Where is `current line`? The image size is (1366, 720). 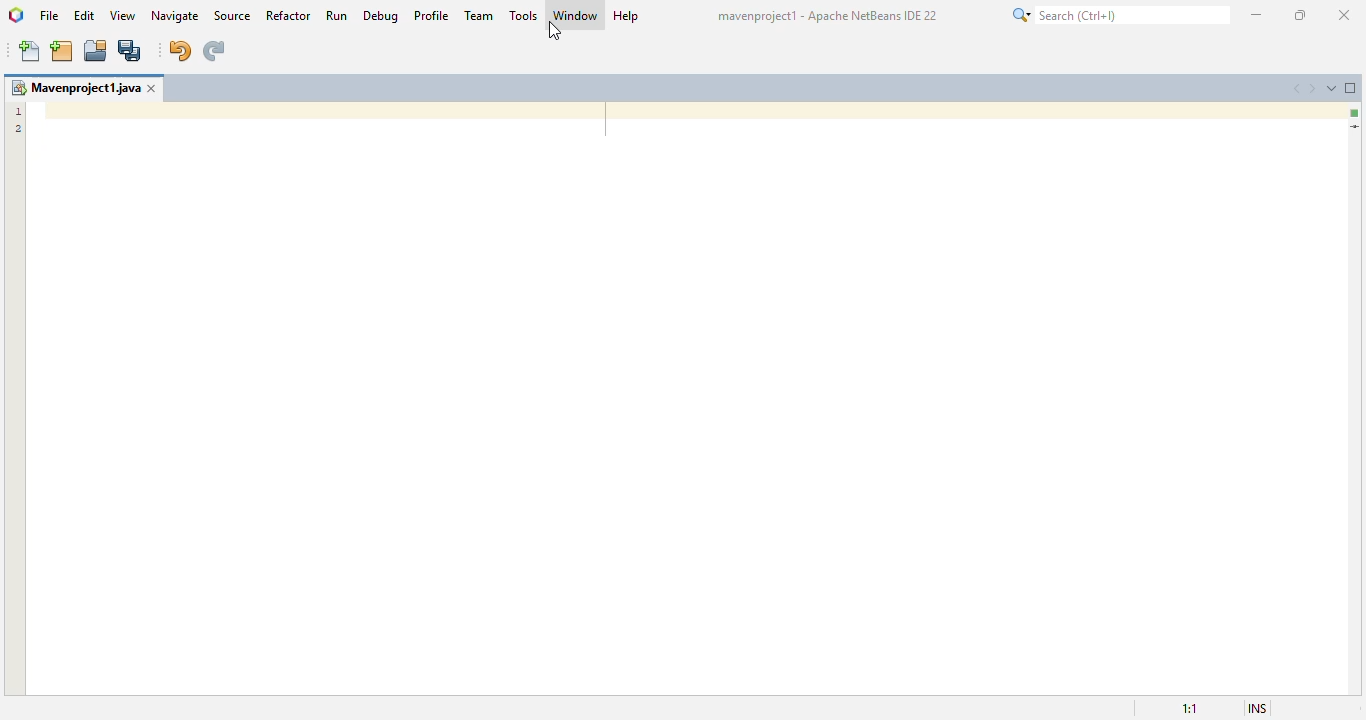 current line is located at coordinates (1354, 127).